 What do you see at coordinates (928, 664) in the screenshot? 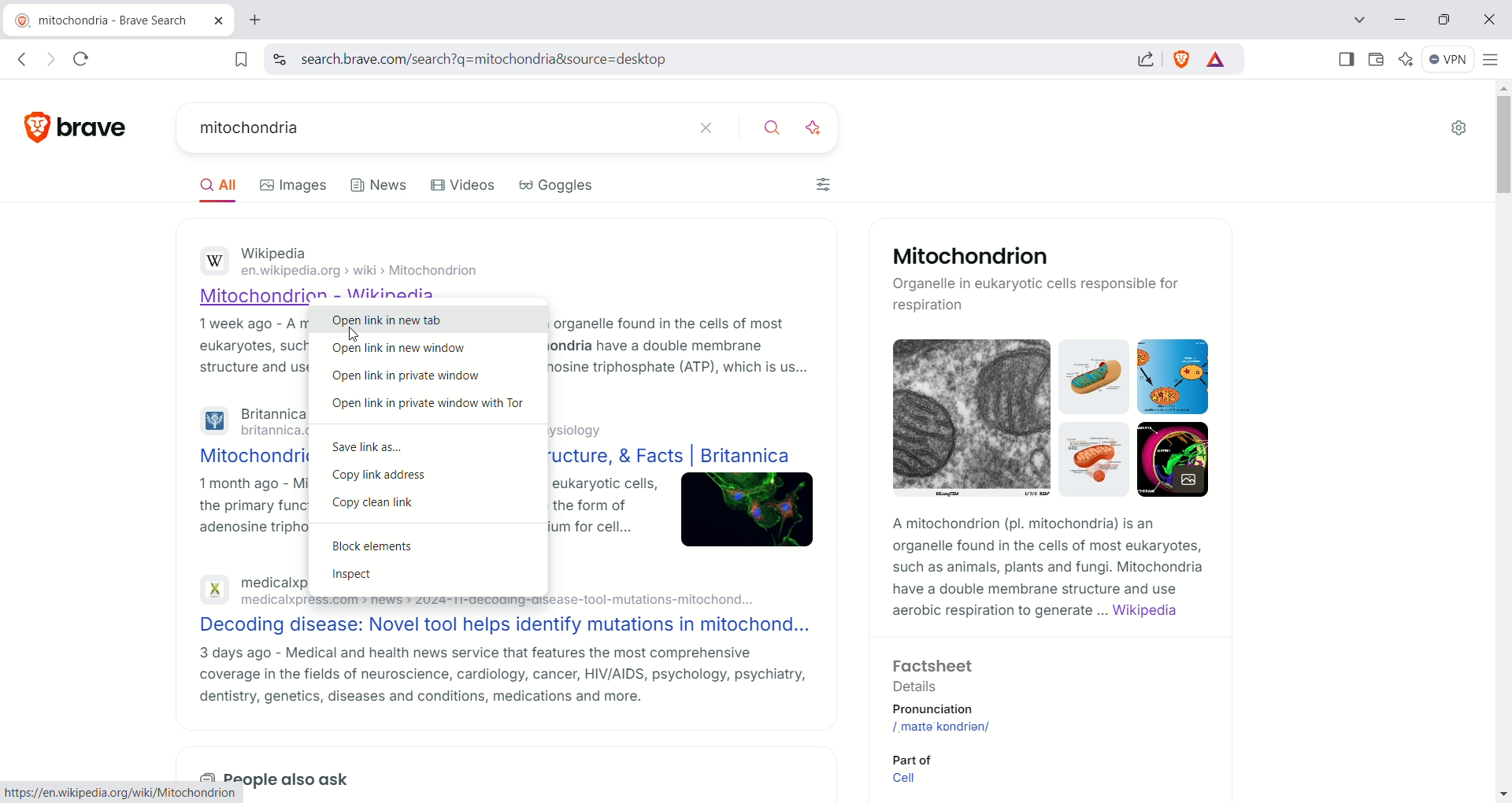
I see `Factsheet` at bounding box center [928, 664].